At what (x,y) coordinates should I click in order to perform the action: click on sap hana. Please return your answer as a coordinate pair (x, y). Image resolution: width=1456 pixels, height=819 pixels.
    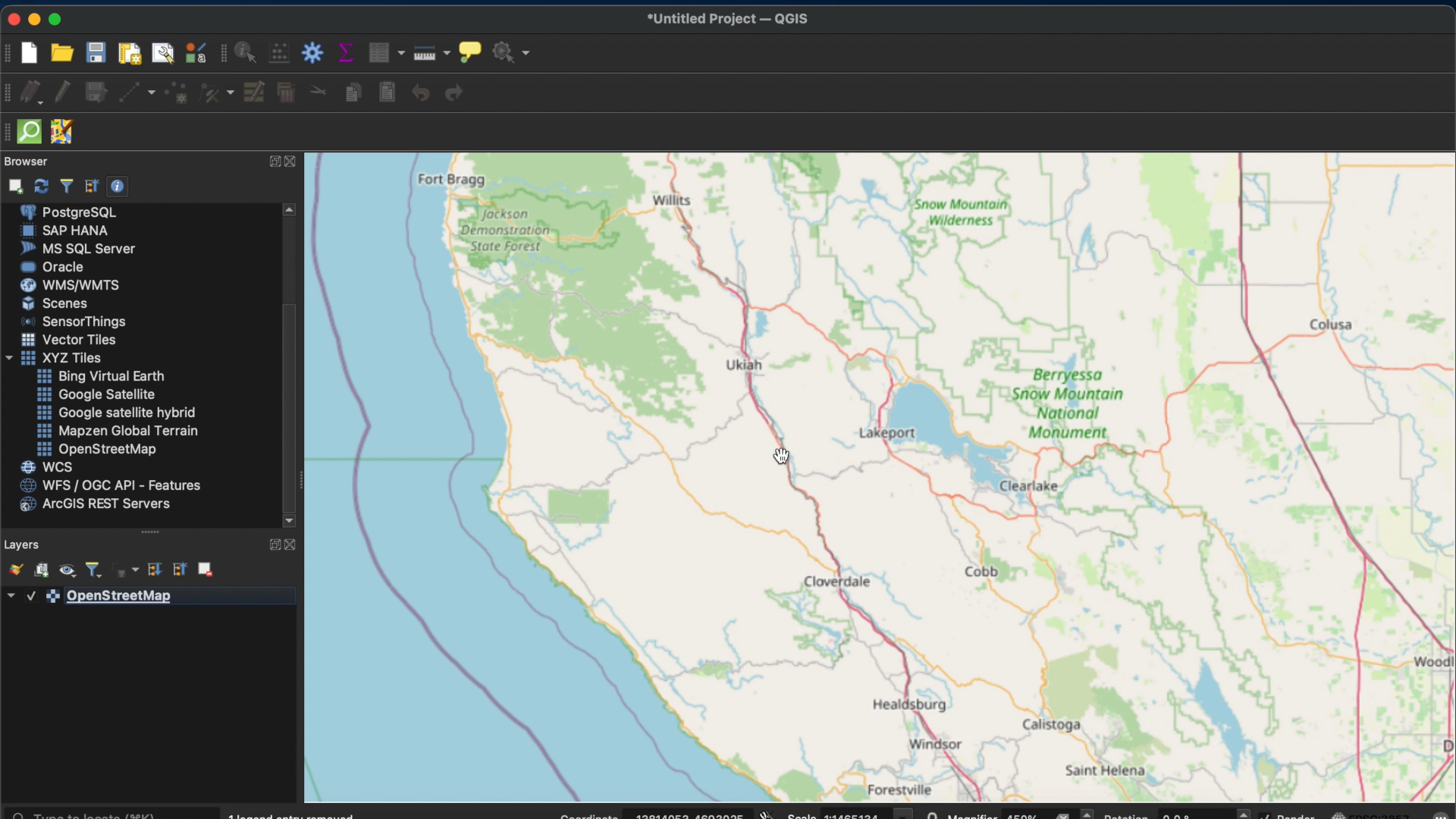
    Looking at the image, I should click on (65, 231).